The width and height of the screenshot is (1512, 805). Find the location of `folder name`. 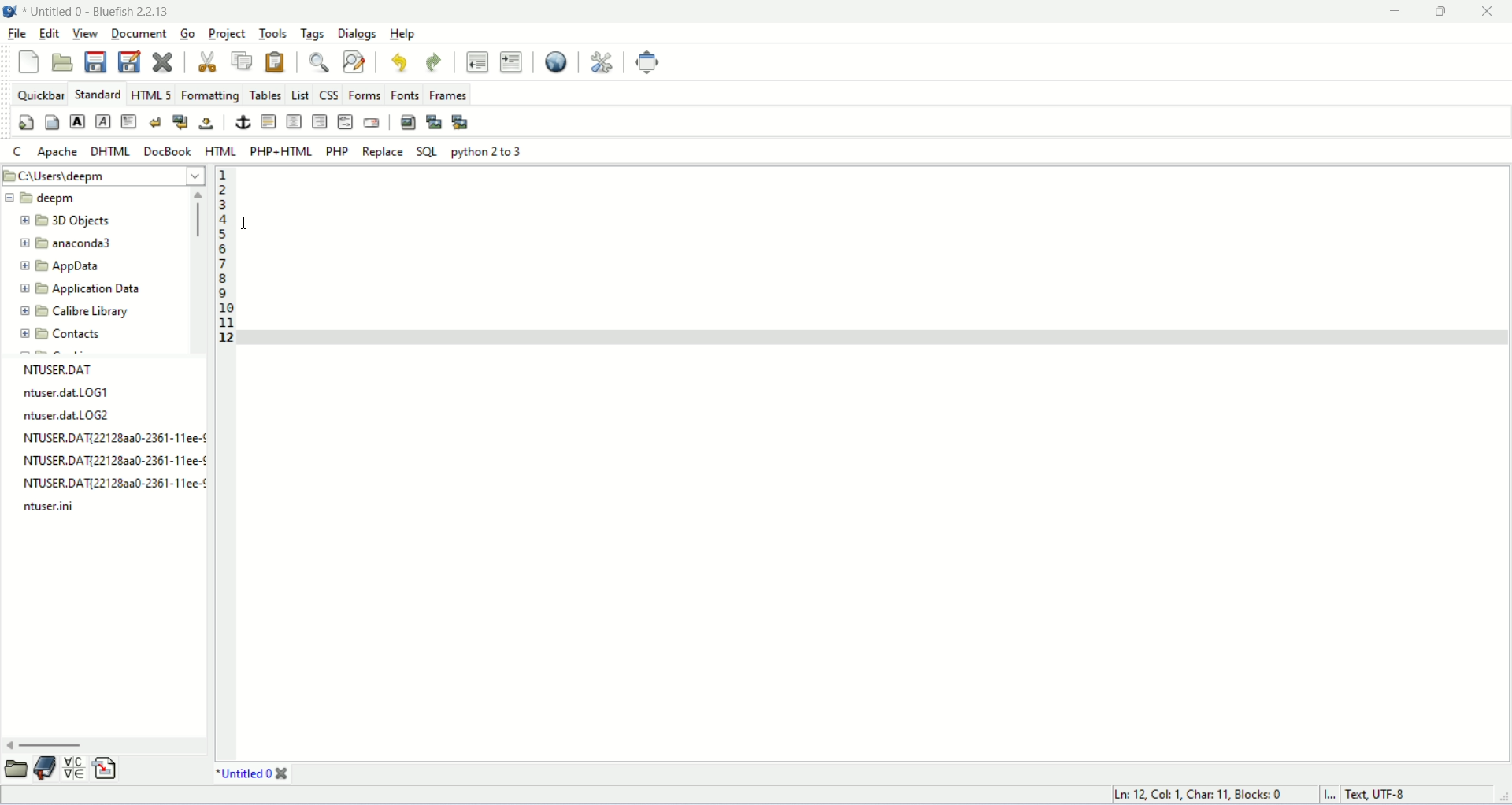

folder name is located at coordinates (96, 265).